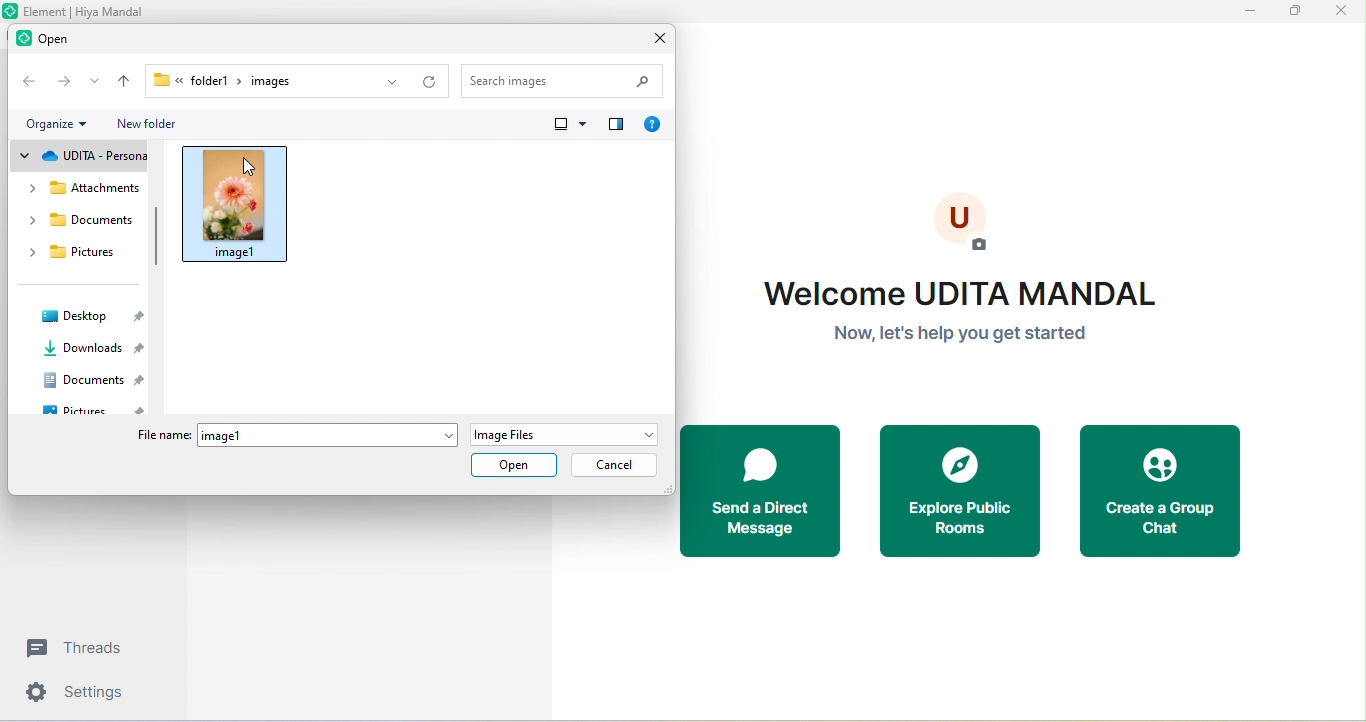  What do you see at coordinates (82, 648) in the screenshot?
I see `thread` at bounding box center [82, 648].